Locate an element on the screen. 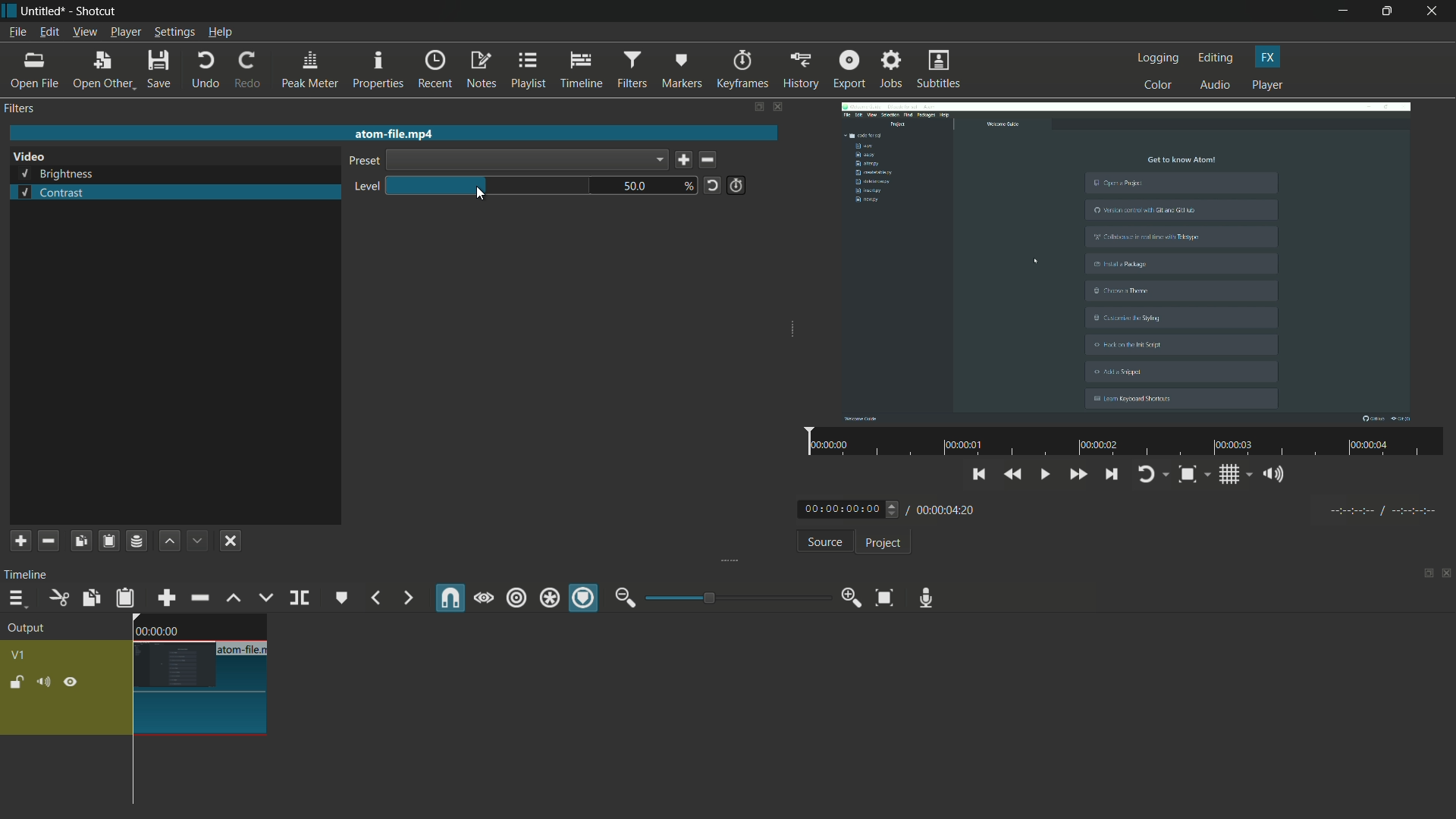  timeline is located at coordinates (29, 574).